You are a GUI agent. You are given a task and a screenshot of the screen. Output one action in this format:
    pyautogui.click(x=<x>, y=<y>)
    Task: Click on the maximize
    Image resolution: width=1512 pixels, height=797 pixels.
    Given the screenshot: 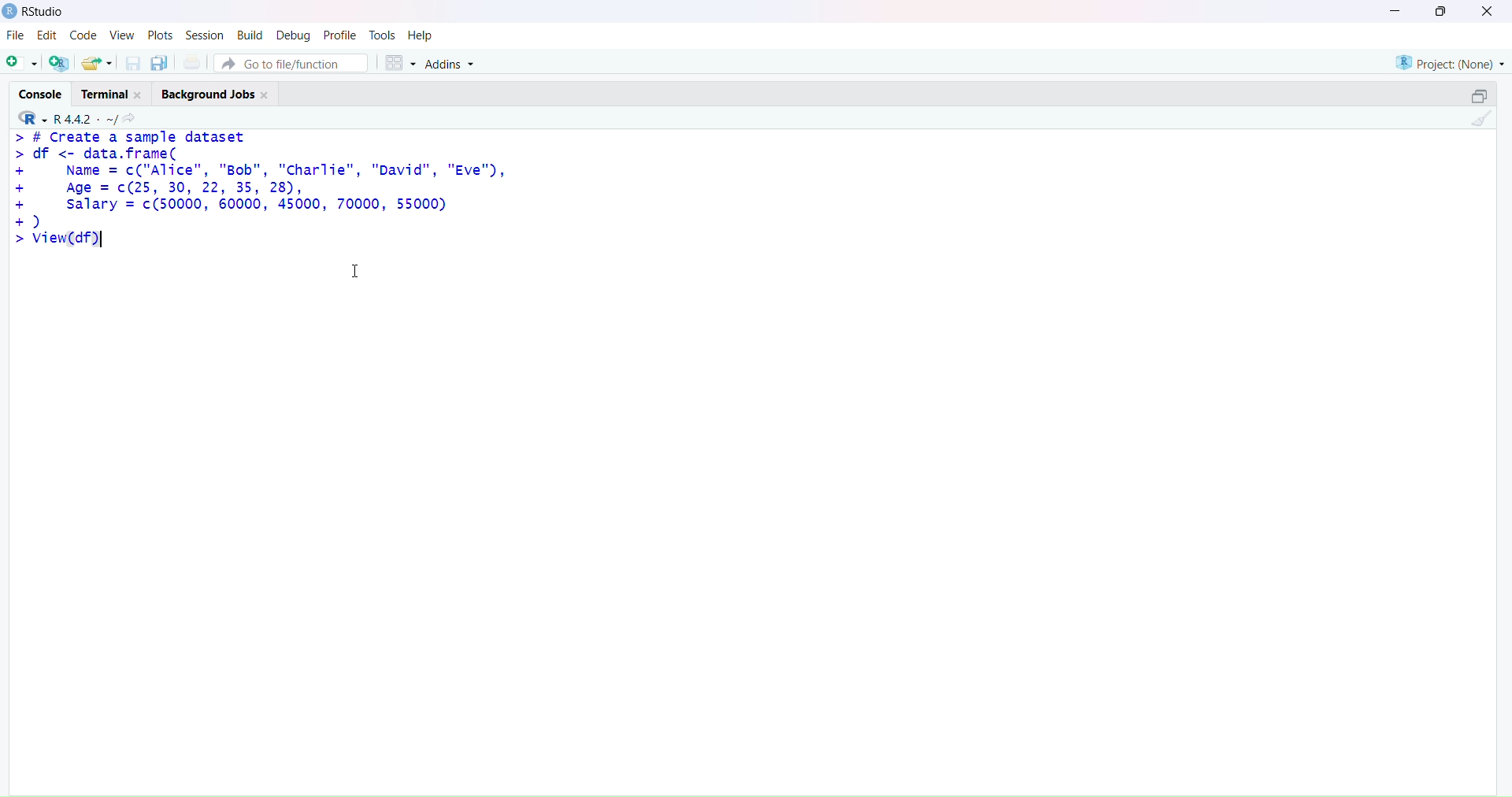 What is the action you would take?
    pyautogui.click(x=1447, y=12)
    